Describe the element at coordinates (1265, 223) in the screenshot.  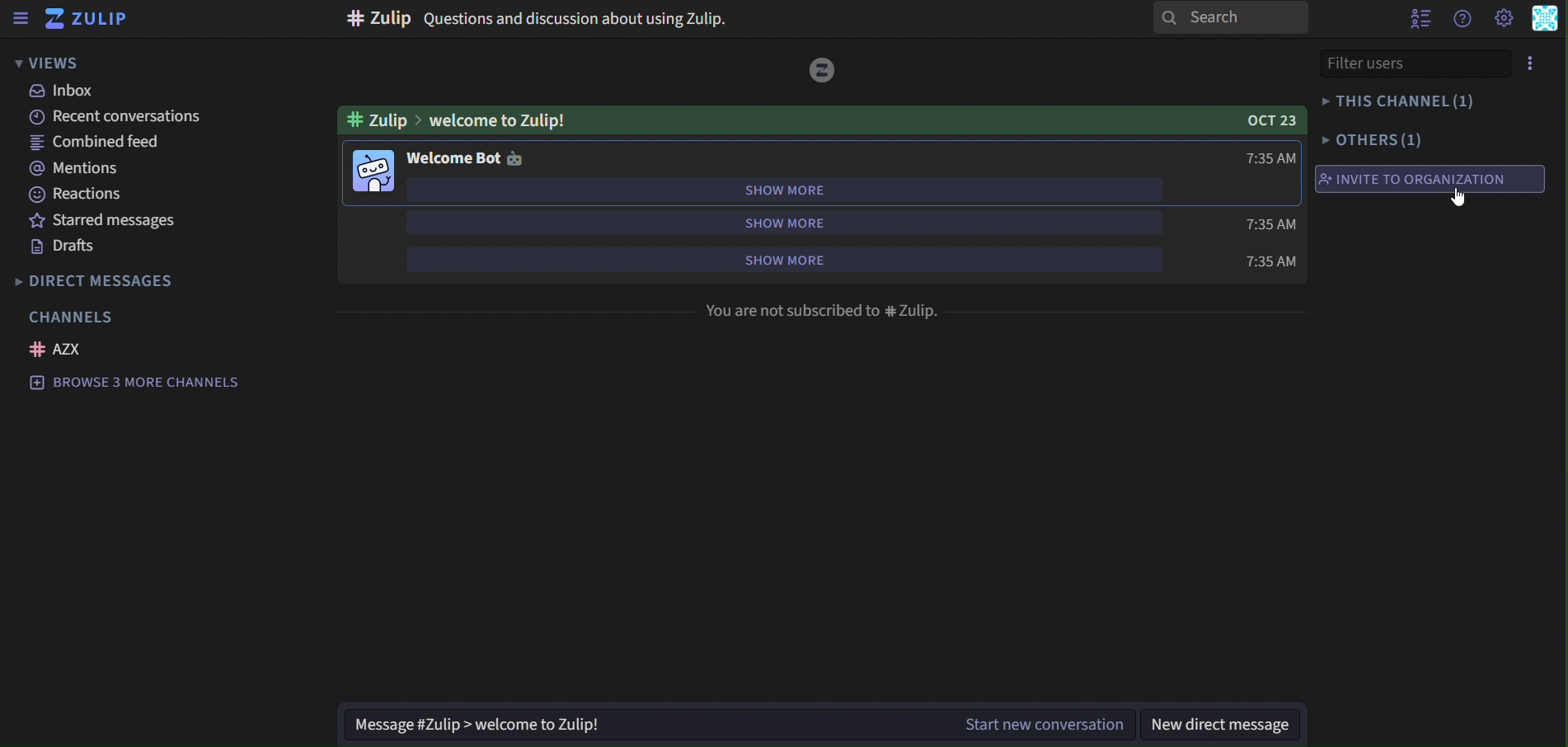
I see `time` at that location.